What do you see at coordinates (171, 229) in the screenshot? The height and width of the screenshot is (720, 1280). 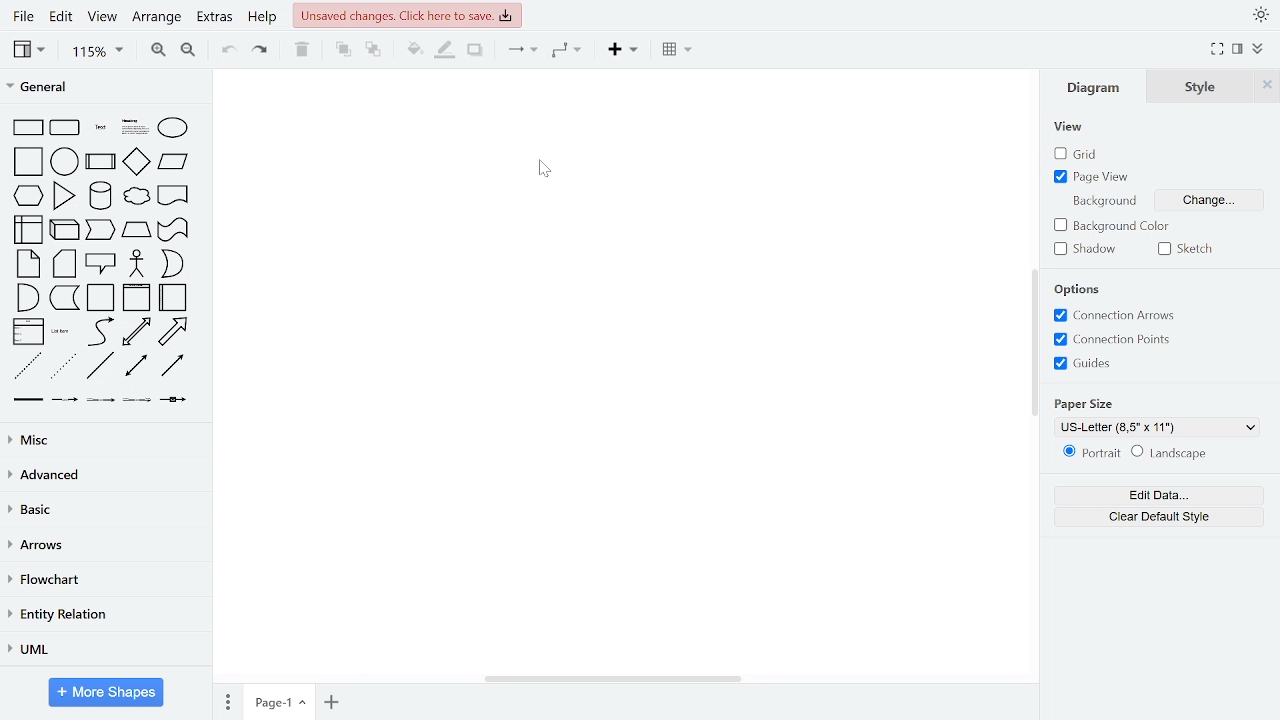 I see `tape` at bounding box center [171, 229].